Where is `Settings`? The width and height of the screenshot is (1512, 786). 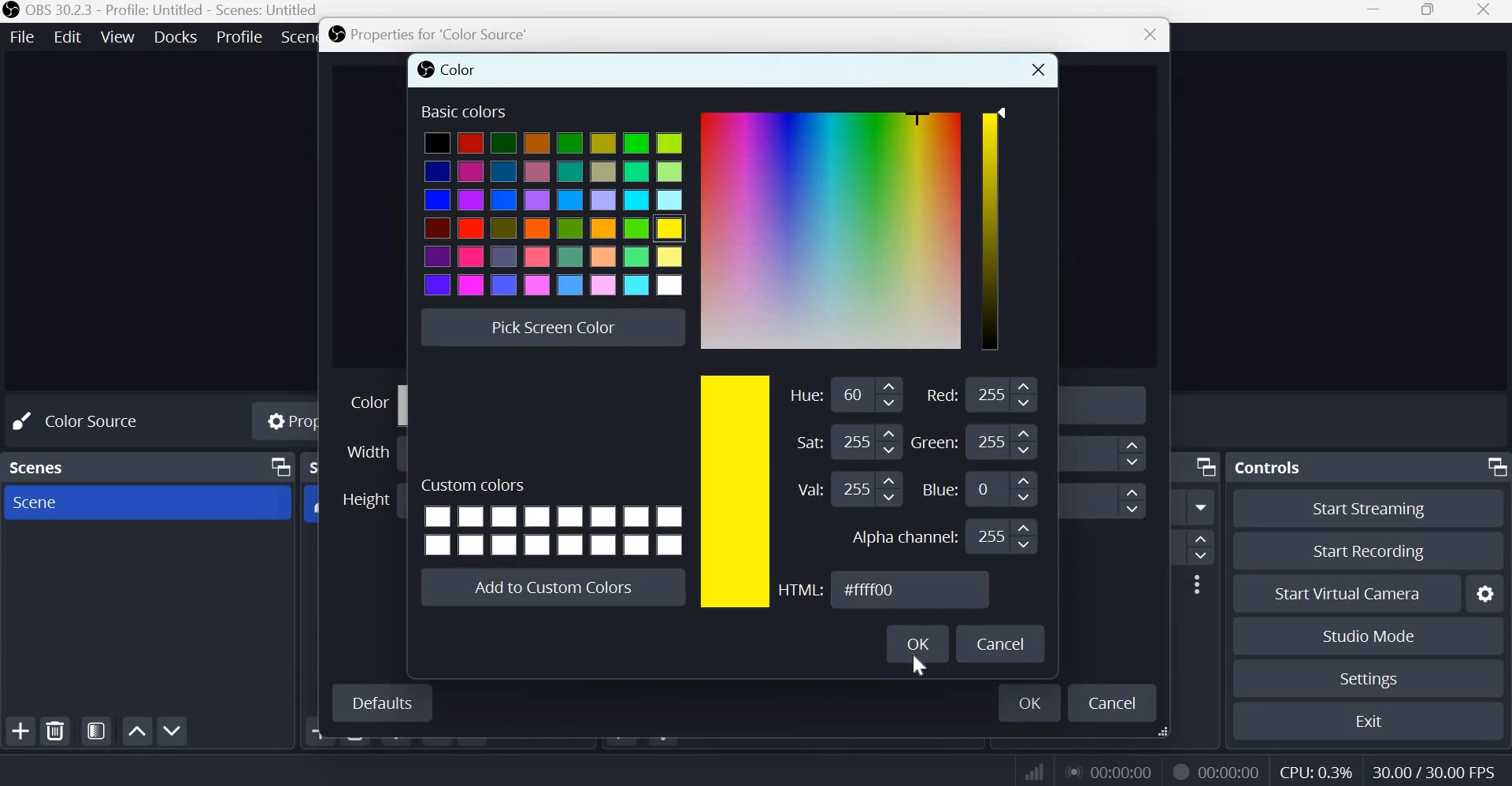 Settings is located at coordinates (1367, 679).